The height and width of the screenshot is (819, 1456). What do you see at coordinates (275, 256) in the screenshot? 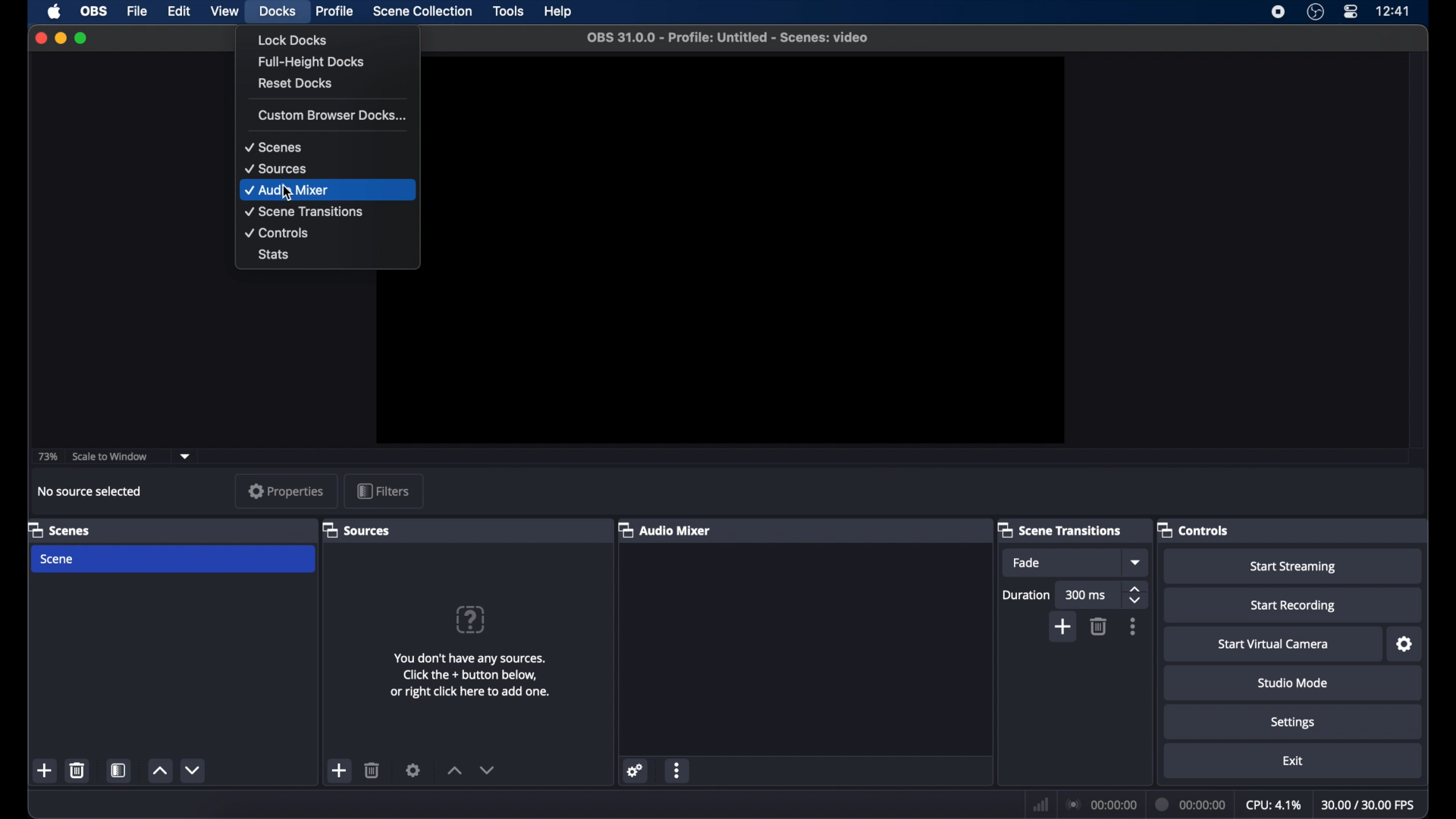
I see `stats` at bounding box center [275, 256].